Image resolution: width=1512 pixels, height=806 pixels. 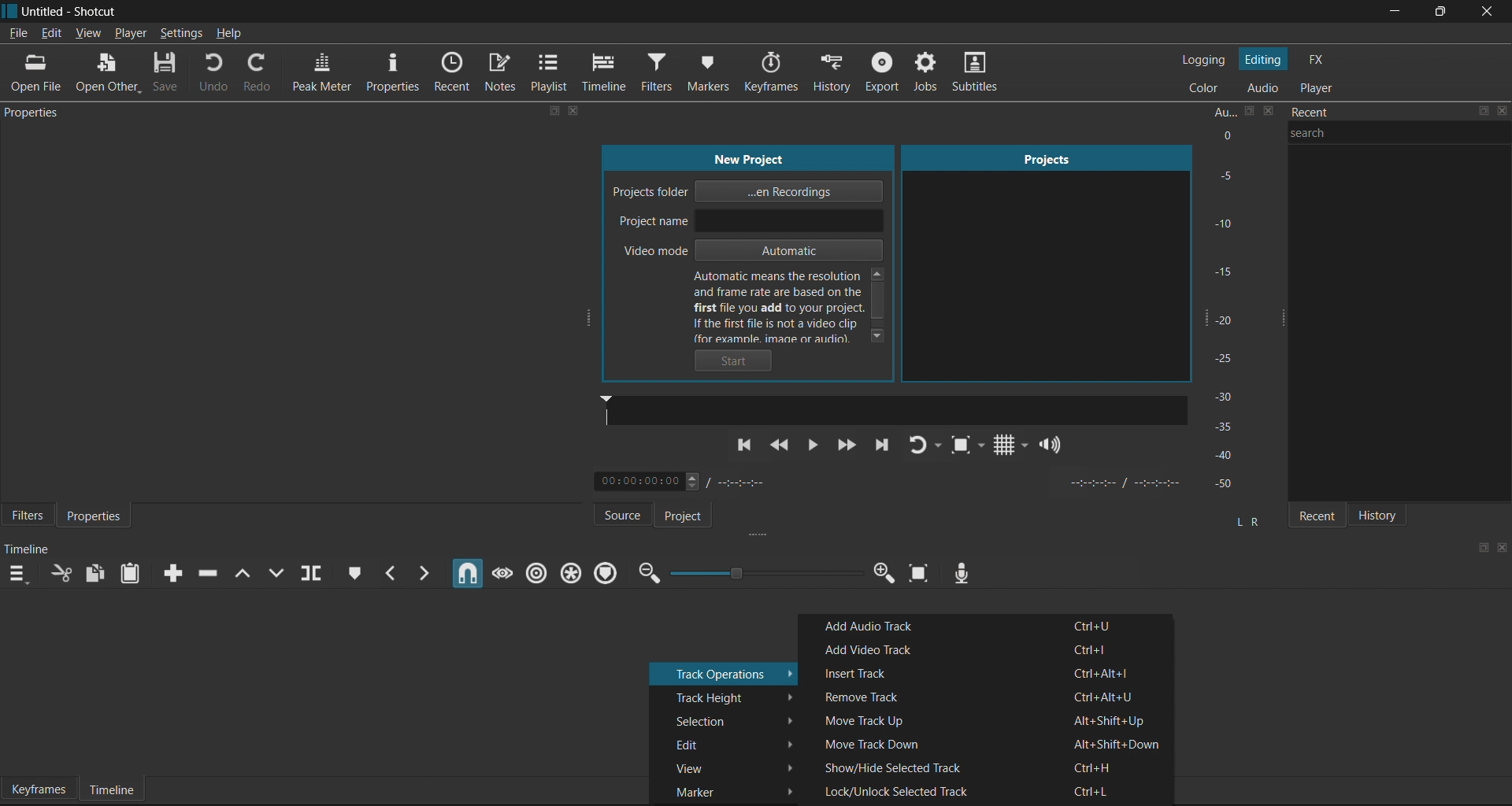 I want to click on Fast Forward, so click(x=845, y=445).